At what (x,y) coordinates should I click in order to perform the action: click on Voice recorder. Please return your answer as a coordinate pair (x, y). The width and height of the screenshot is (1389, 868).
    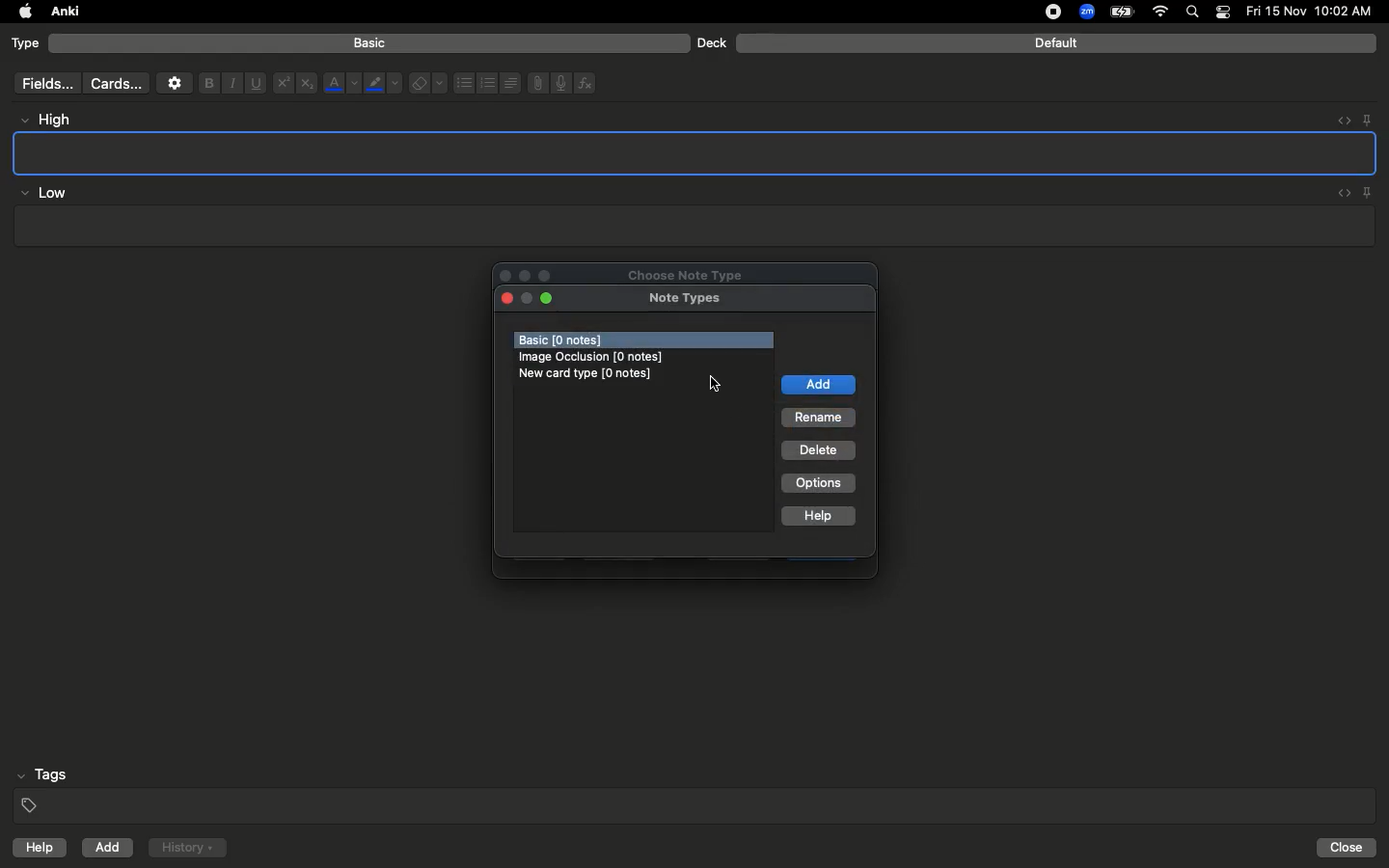
    Looking at the image, I should click on (559, 81).